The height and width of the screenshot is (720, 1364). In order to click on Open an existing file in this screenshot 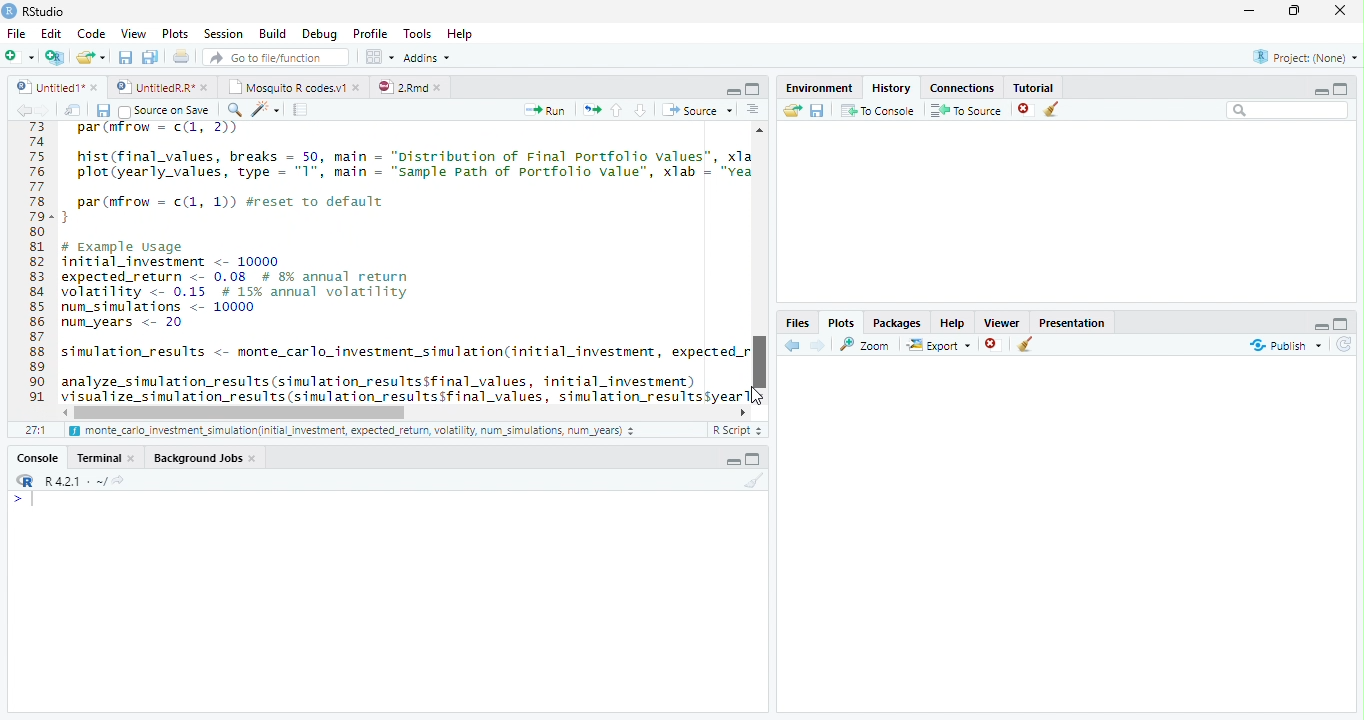, I will do `click(91, 56)`.